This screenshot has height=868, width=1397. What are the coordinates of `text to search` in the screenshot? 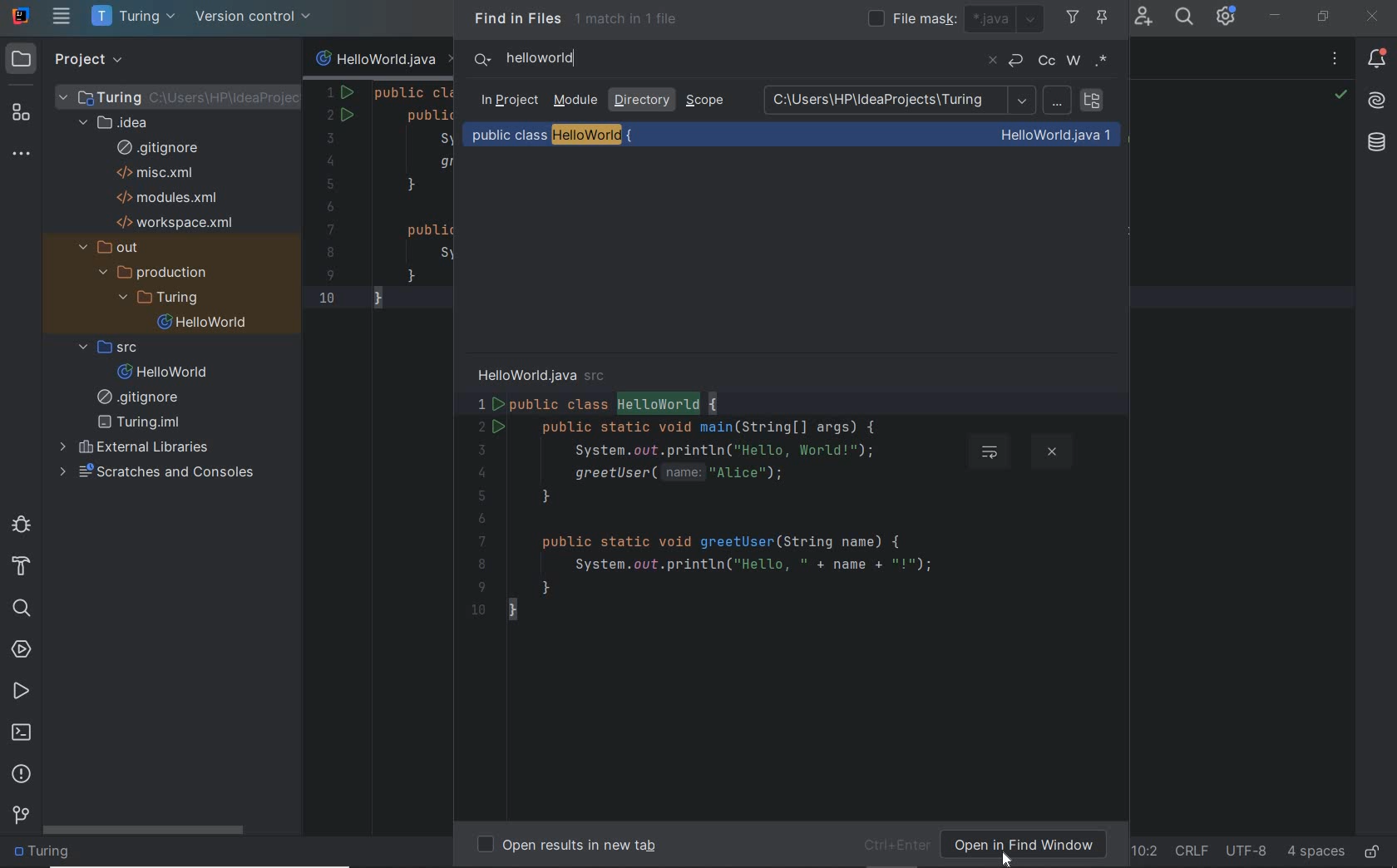 It's located at (536, 60).